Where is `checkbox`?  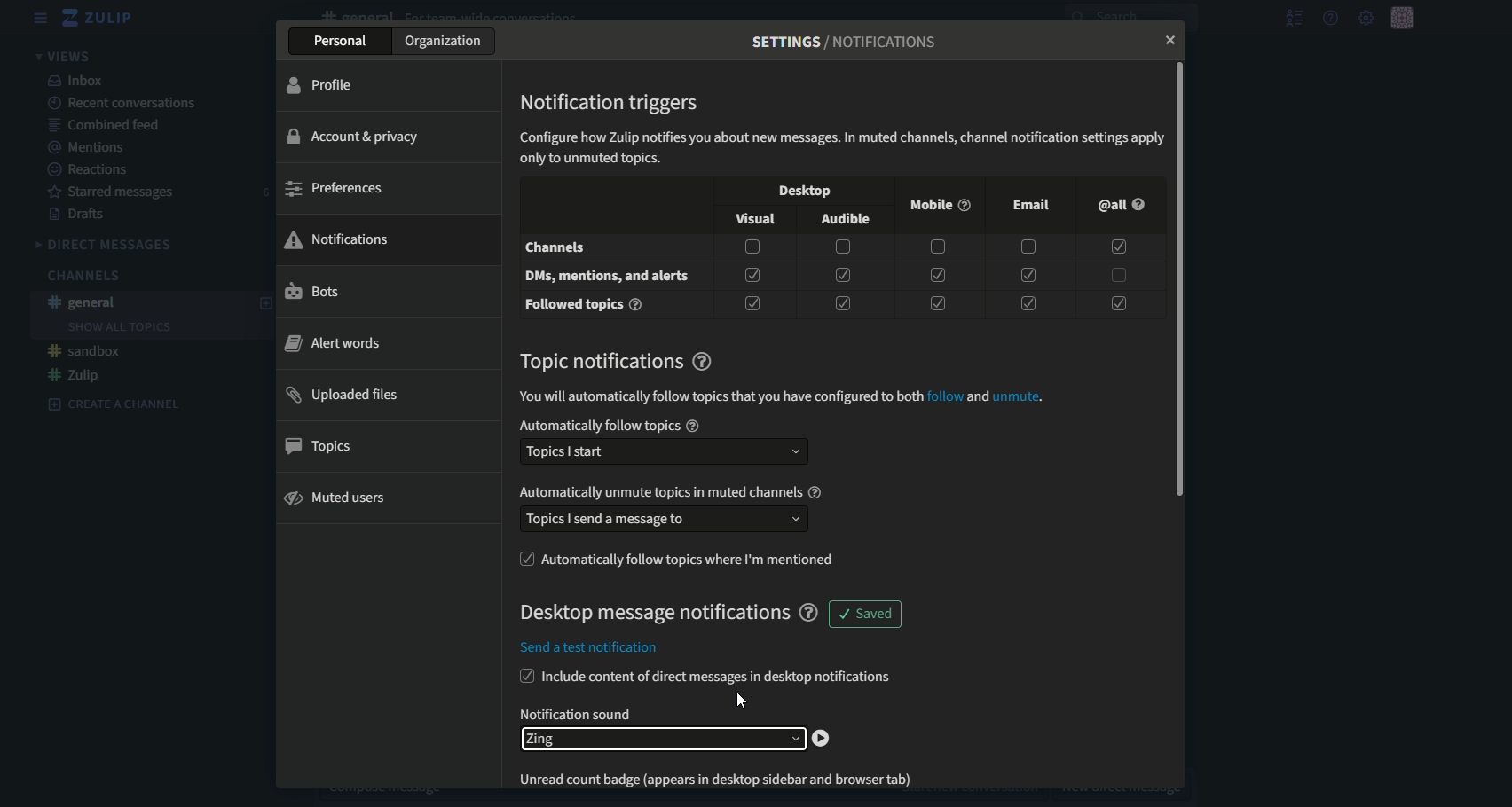
checkbox is located at coordinates (936, 275).